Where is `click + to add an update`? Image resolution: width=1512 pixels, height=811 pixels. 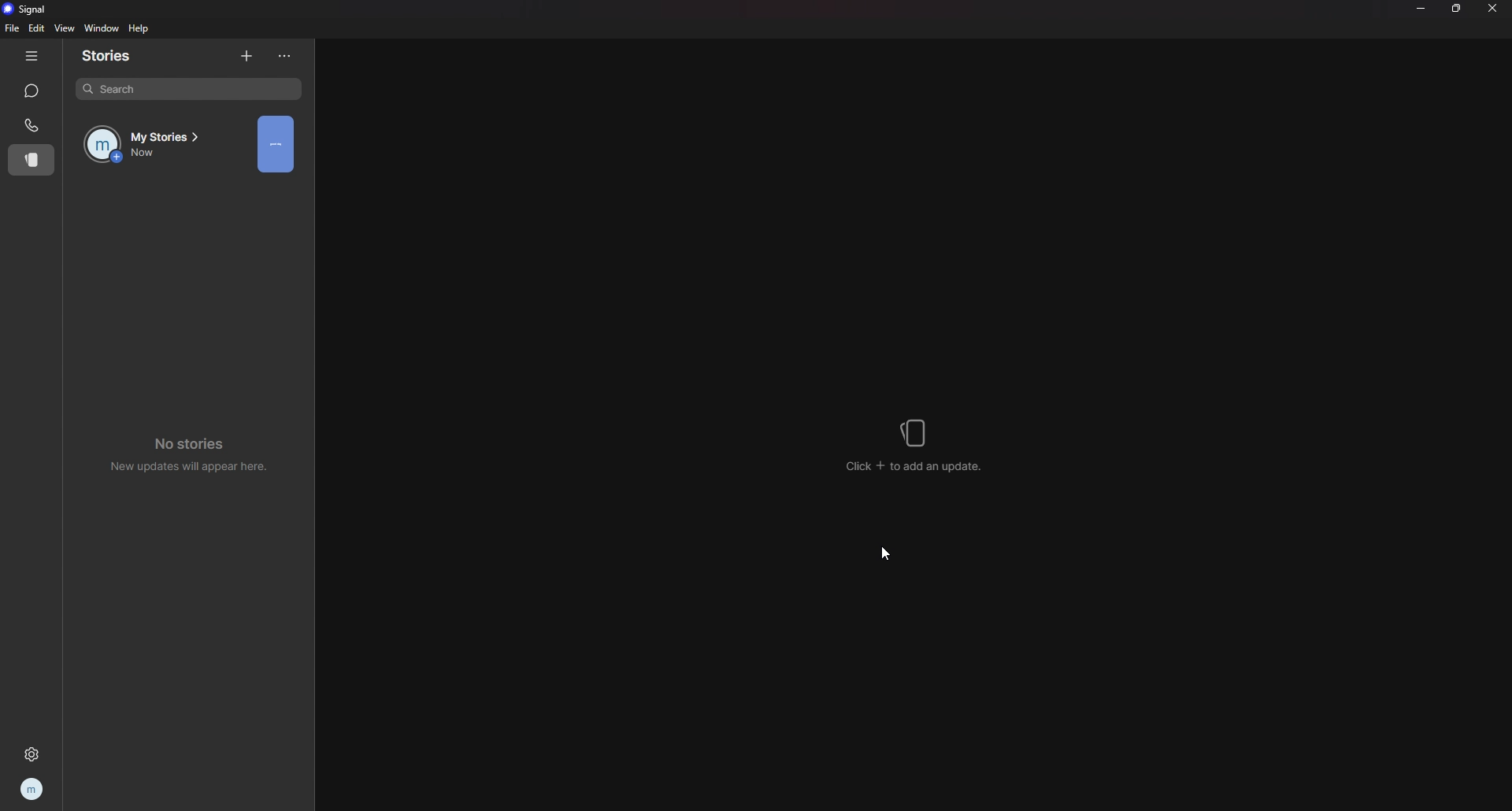
click + to add an update is located at coordinates (917, 446).